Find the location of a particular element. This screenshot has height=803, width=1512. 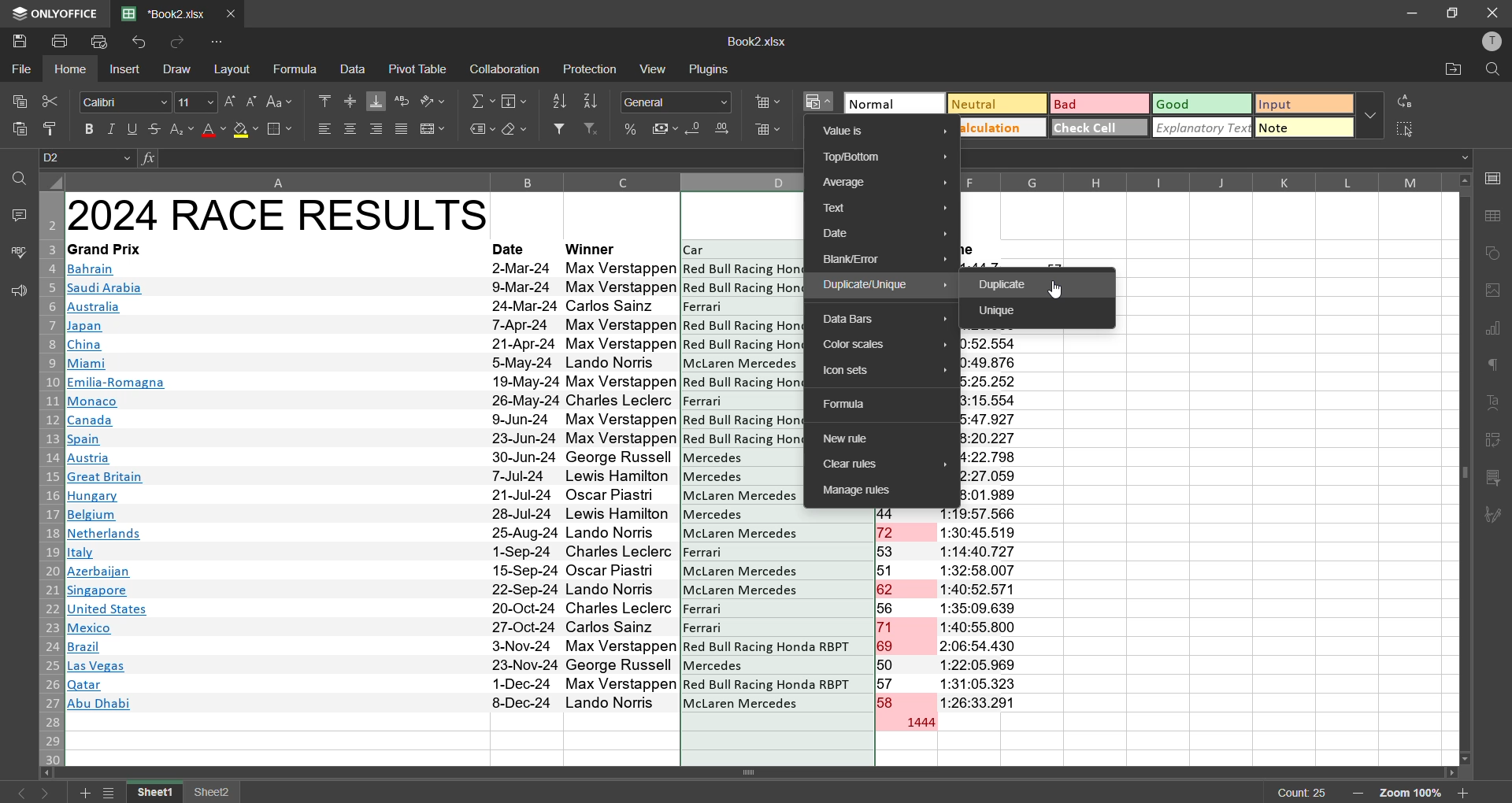

cell address is located at coordinates (89, 158).